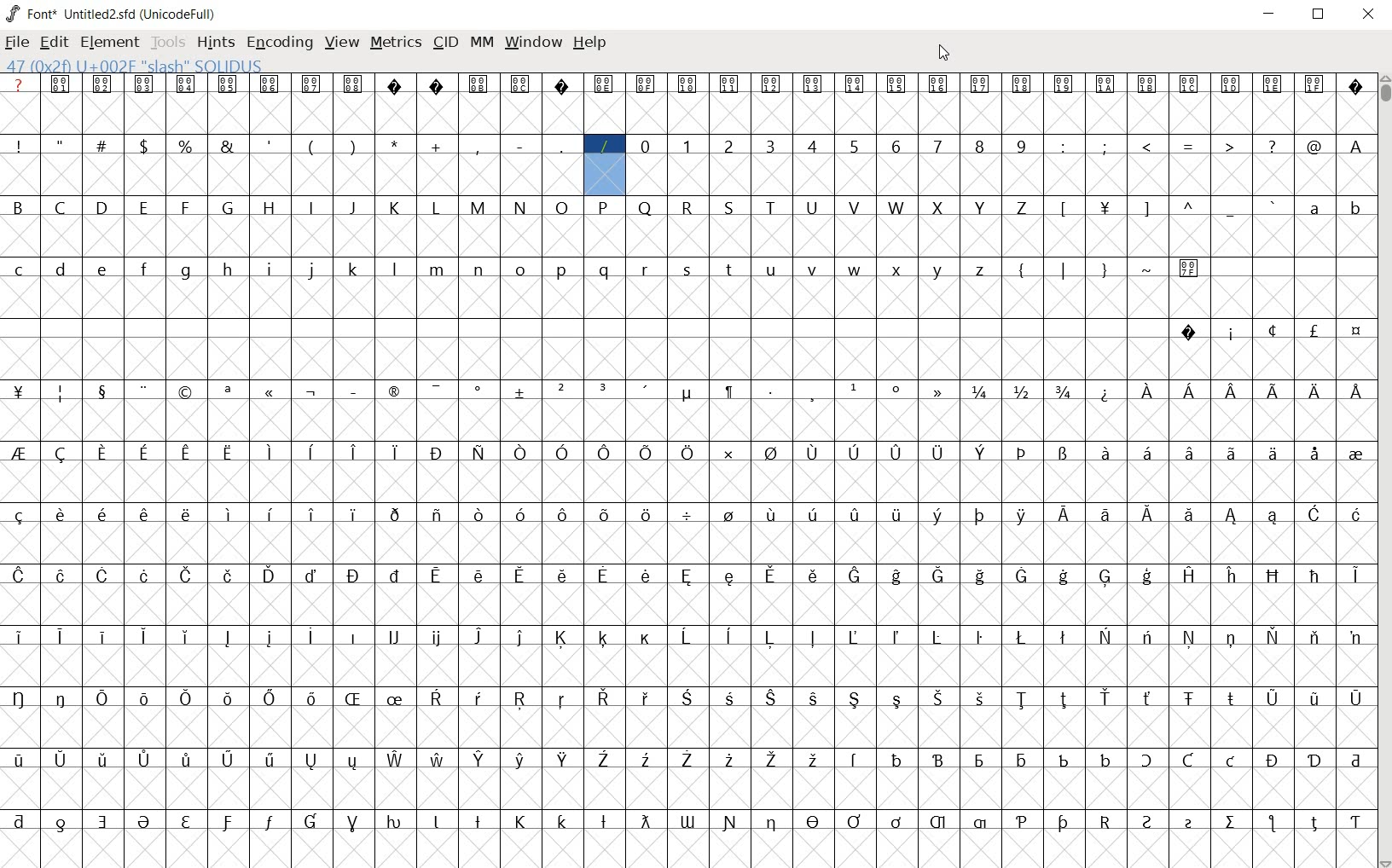  What do you see at coordinates (311, 761) in the screenshot?
I see `glyph` at bounding box center [311, 761].